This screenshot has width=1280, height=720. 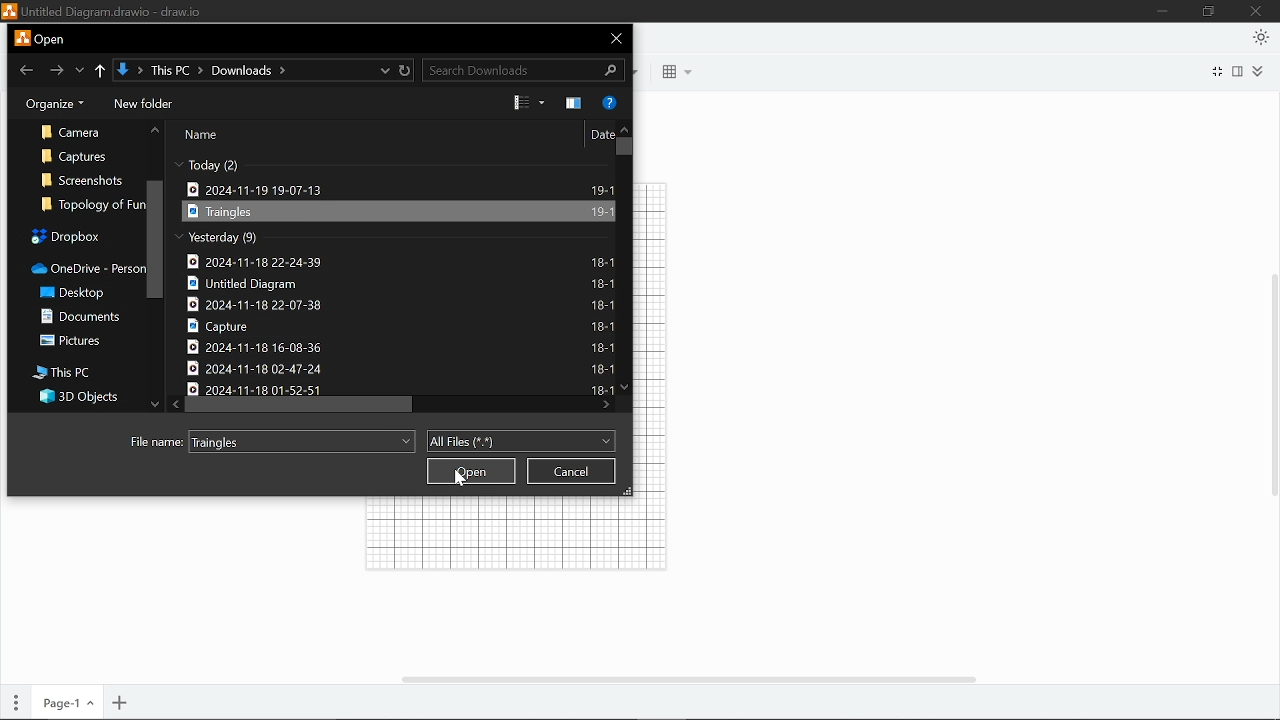 I want to click on Topology of Fun, so click(x=87, y=205).